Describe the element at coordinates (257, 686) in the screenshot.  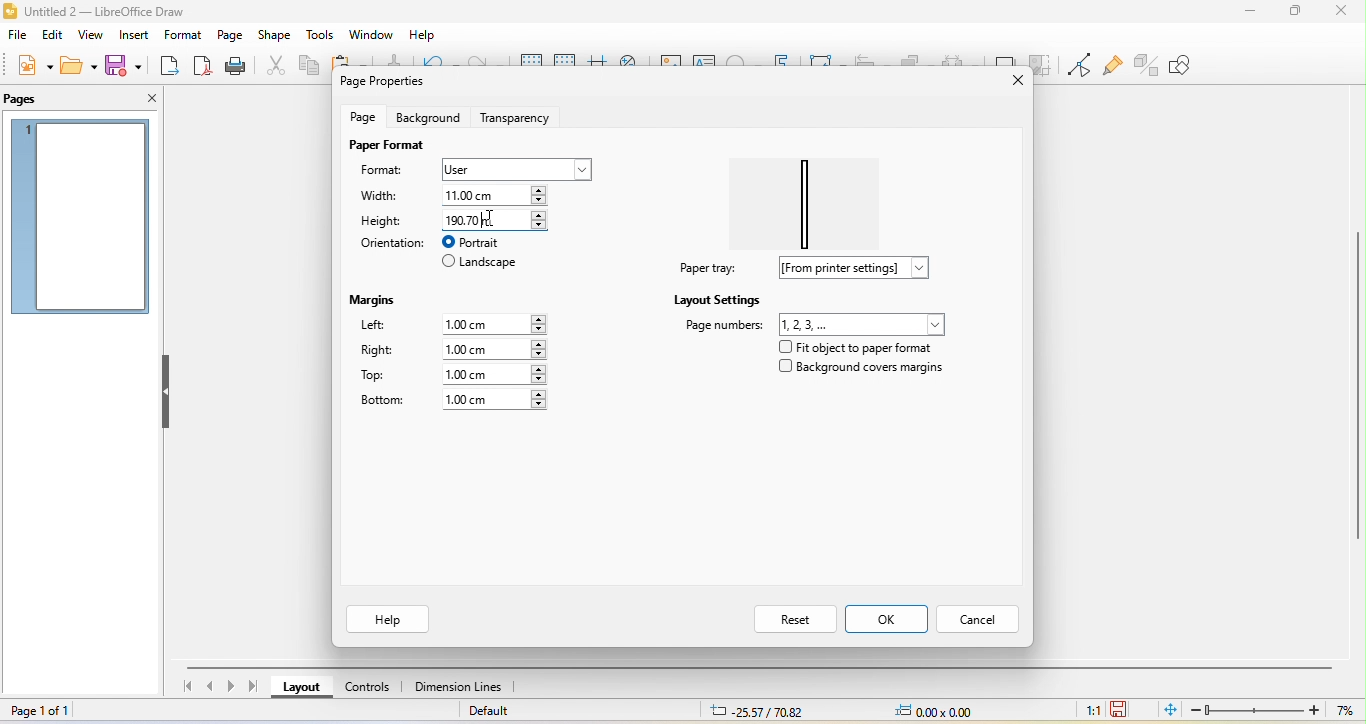
I see `last page` at that location.